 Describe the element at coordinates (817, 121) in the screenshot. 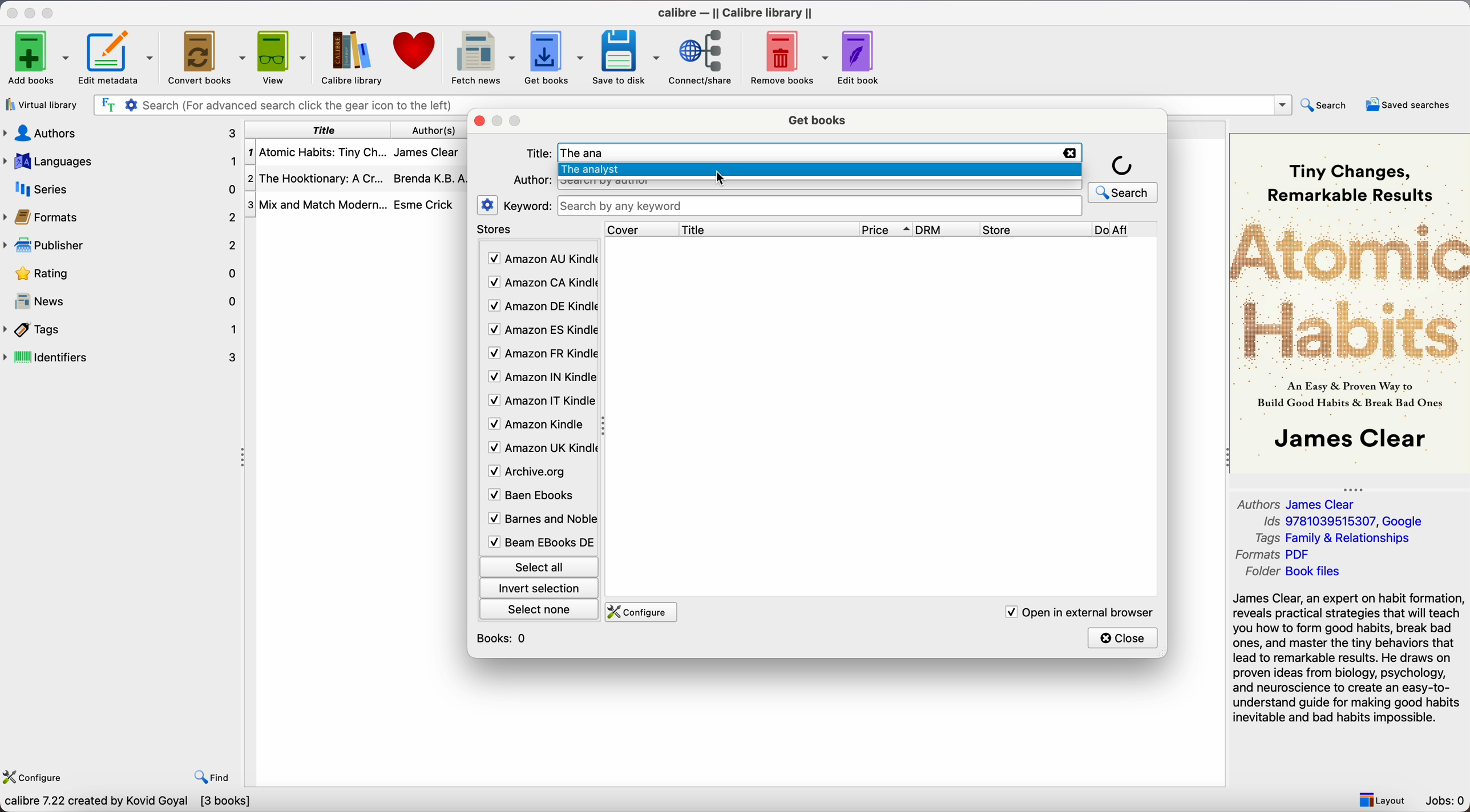

I see `get books` at that location.